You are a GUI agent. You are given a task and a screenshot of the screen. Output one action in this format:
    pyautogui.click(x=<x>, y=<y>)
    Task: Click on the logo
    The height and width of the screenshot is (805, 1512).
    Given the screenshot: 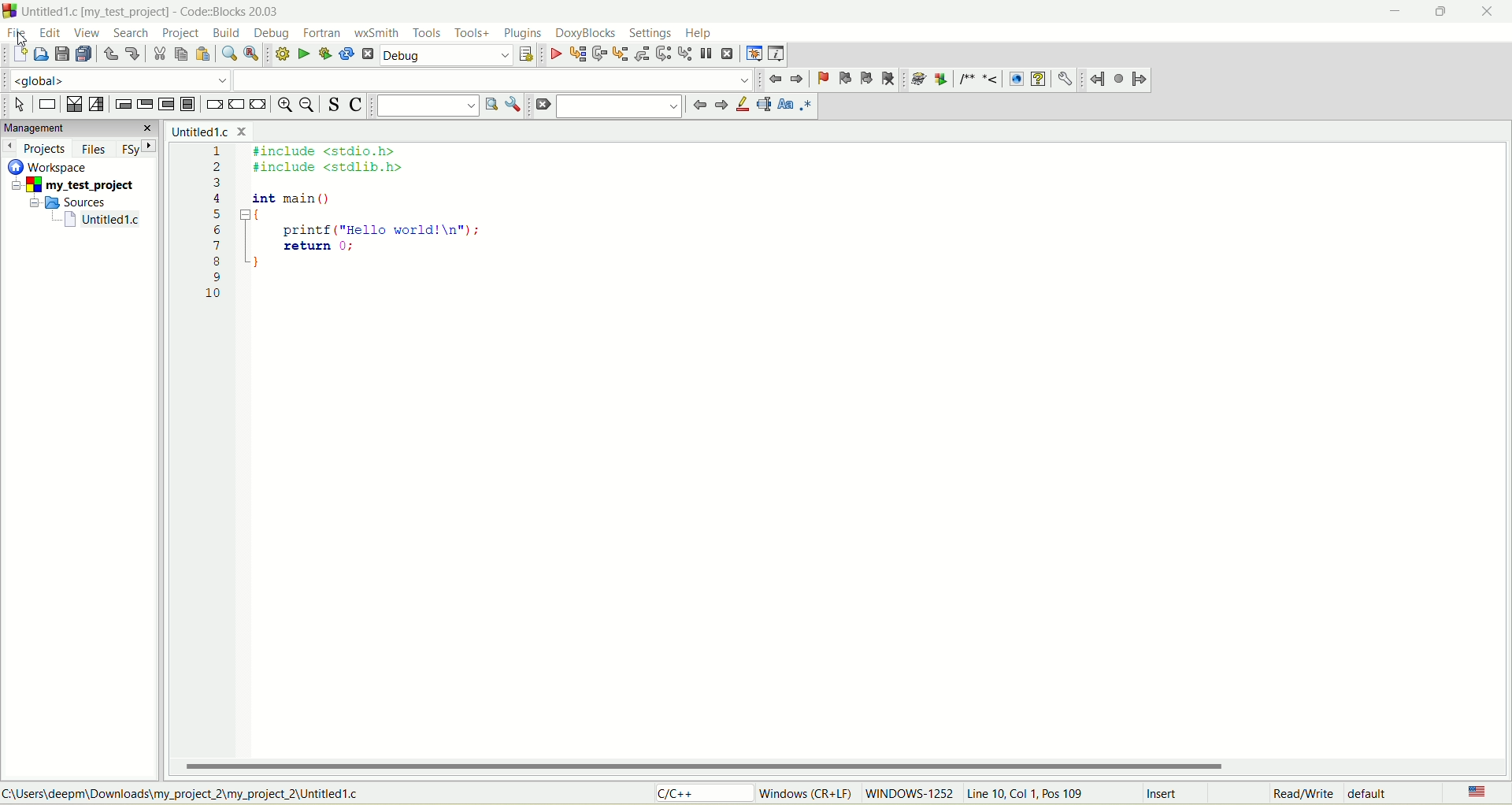 What is the action you would take?
    pyautogui.click(x=9, y=10)
    